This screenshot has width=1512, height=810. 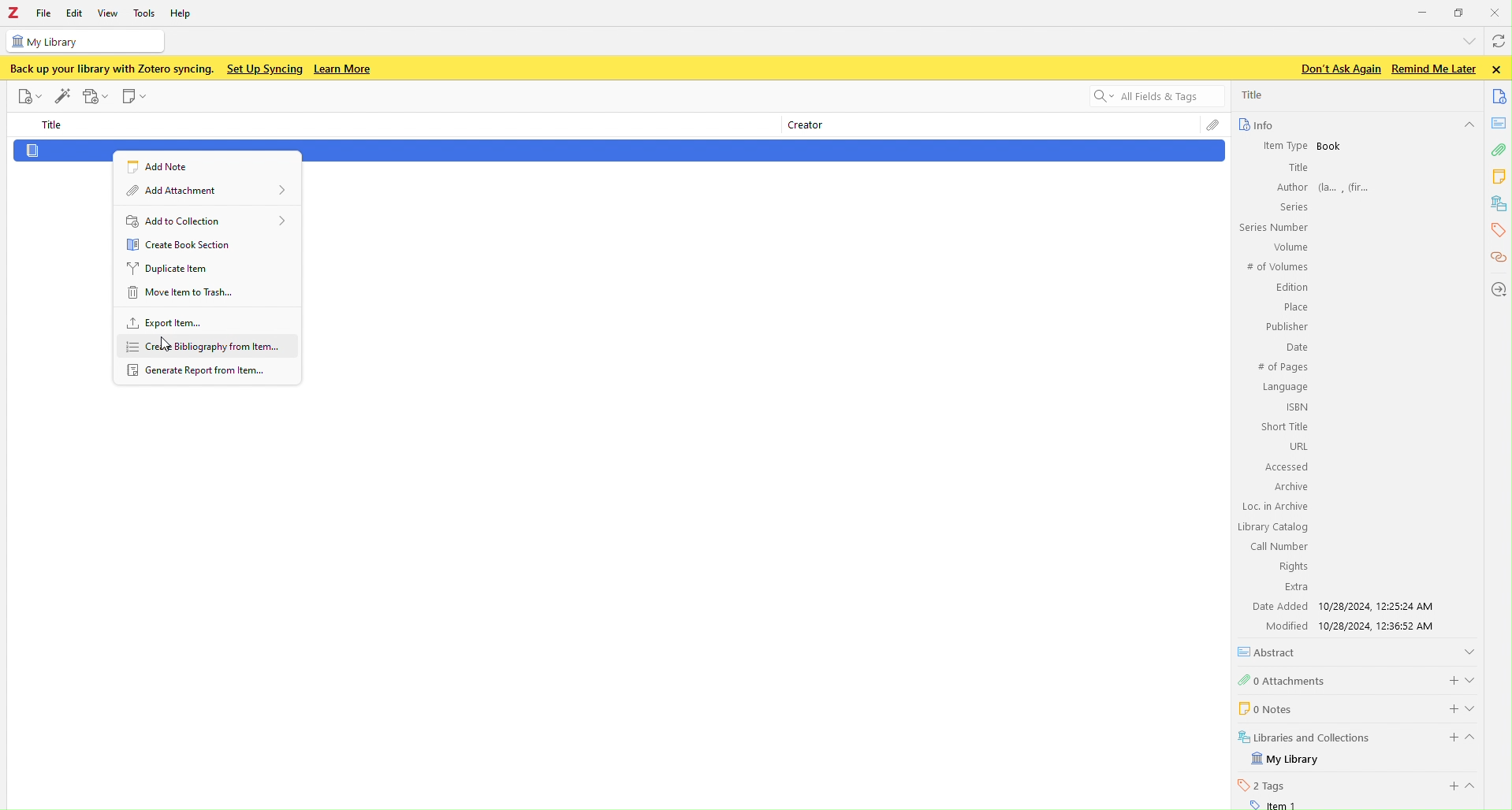 I want to click on Help, so click(x=185, y=15).